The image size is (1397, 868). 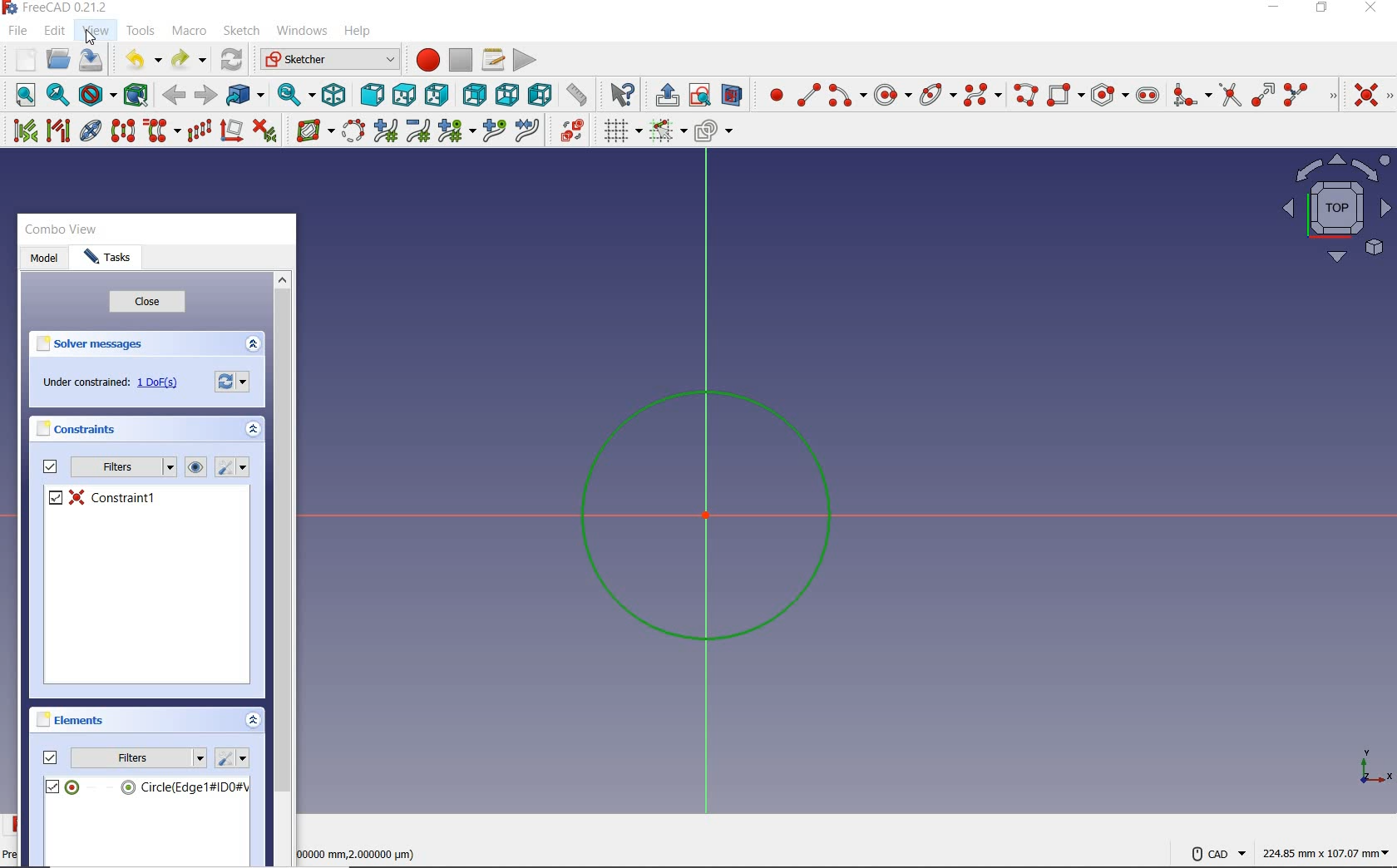 I want to click on go to linked objects, so click(x=244, y=96).